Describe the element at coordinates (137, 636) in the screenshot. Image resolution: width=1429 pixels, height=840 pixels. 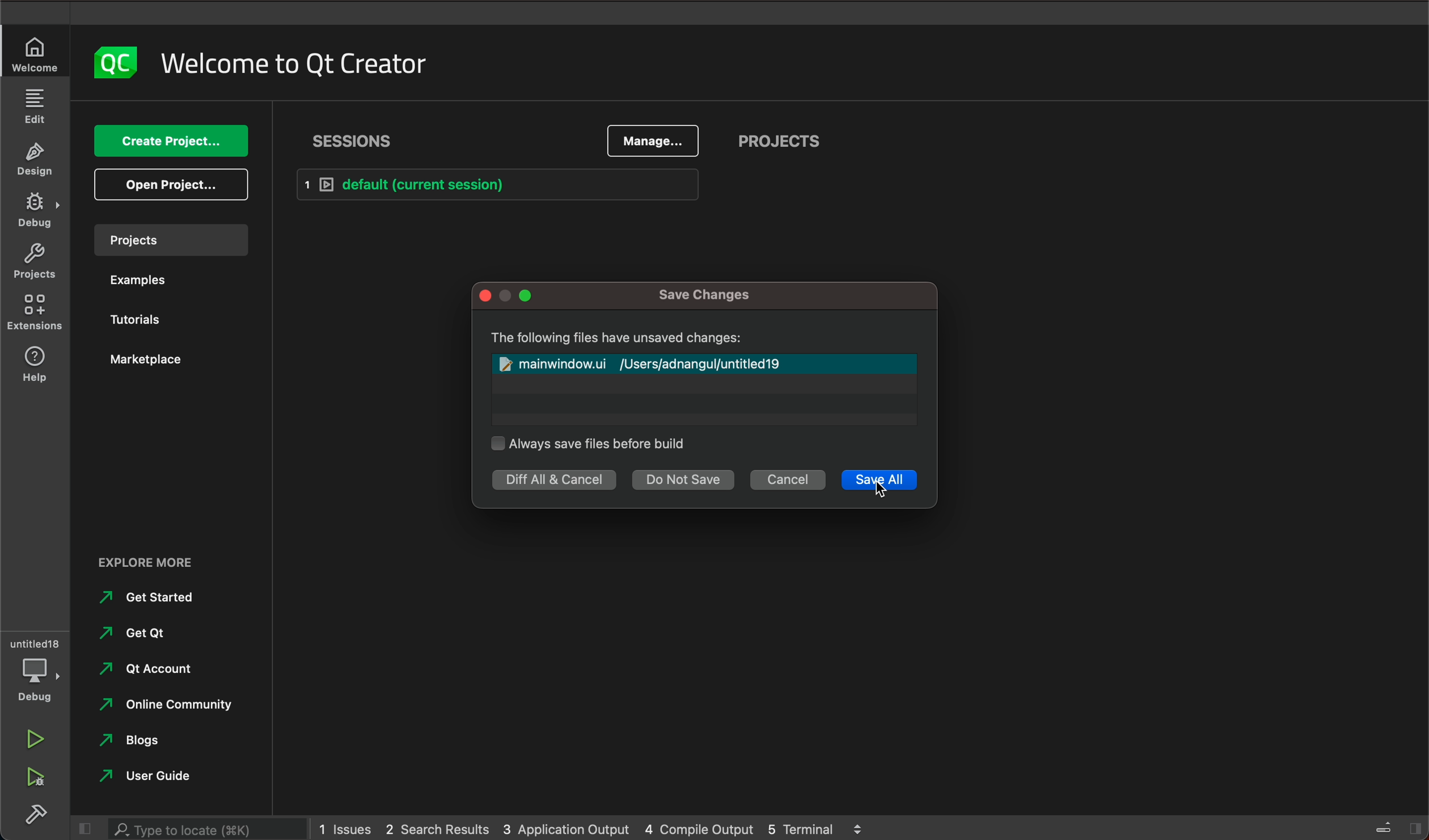
I see `Get Qt` at that location.